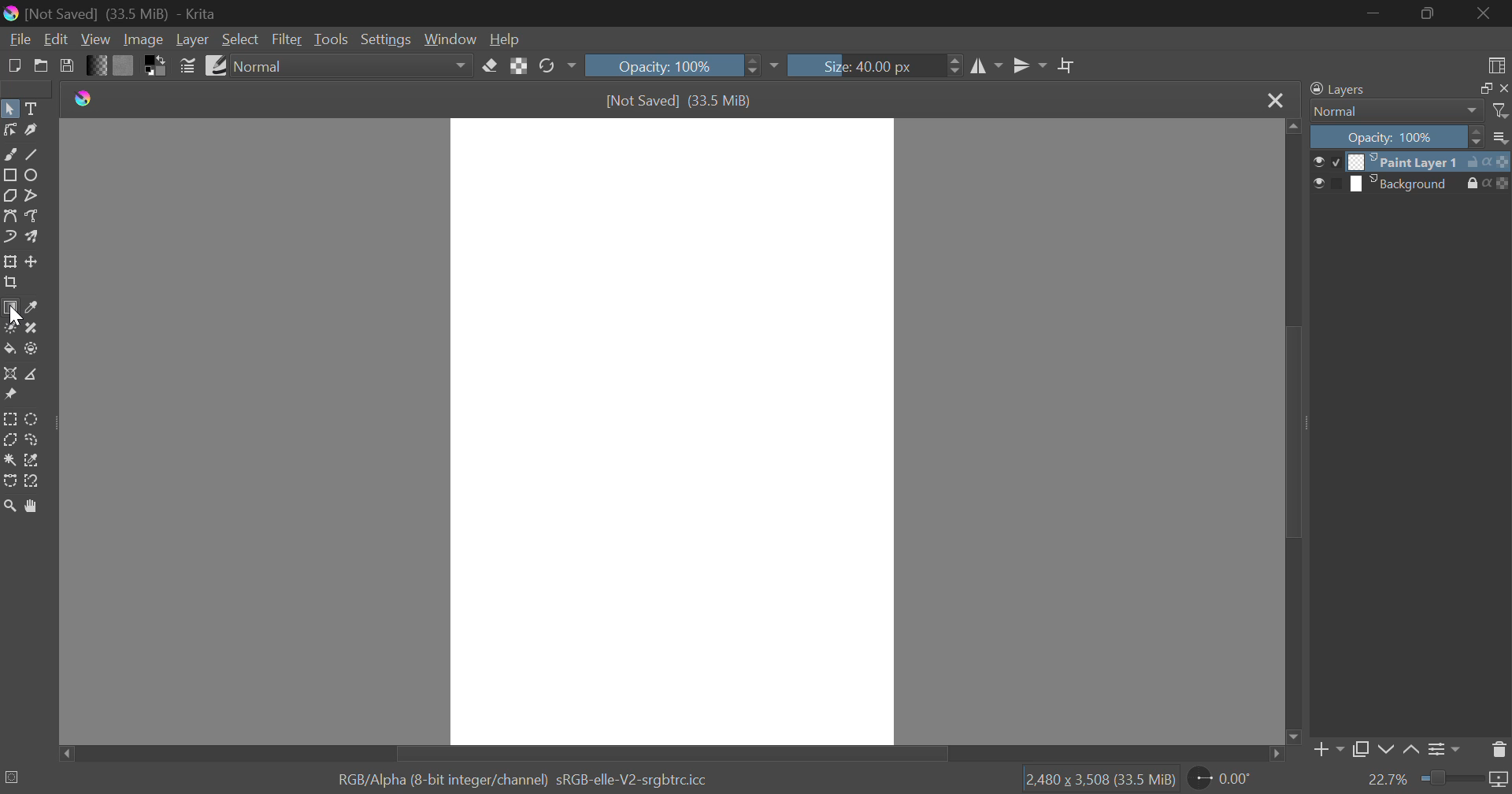 The width and height of the screenshot is (1512, 794). I want to click on Measurement, so click(32, 375).